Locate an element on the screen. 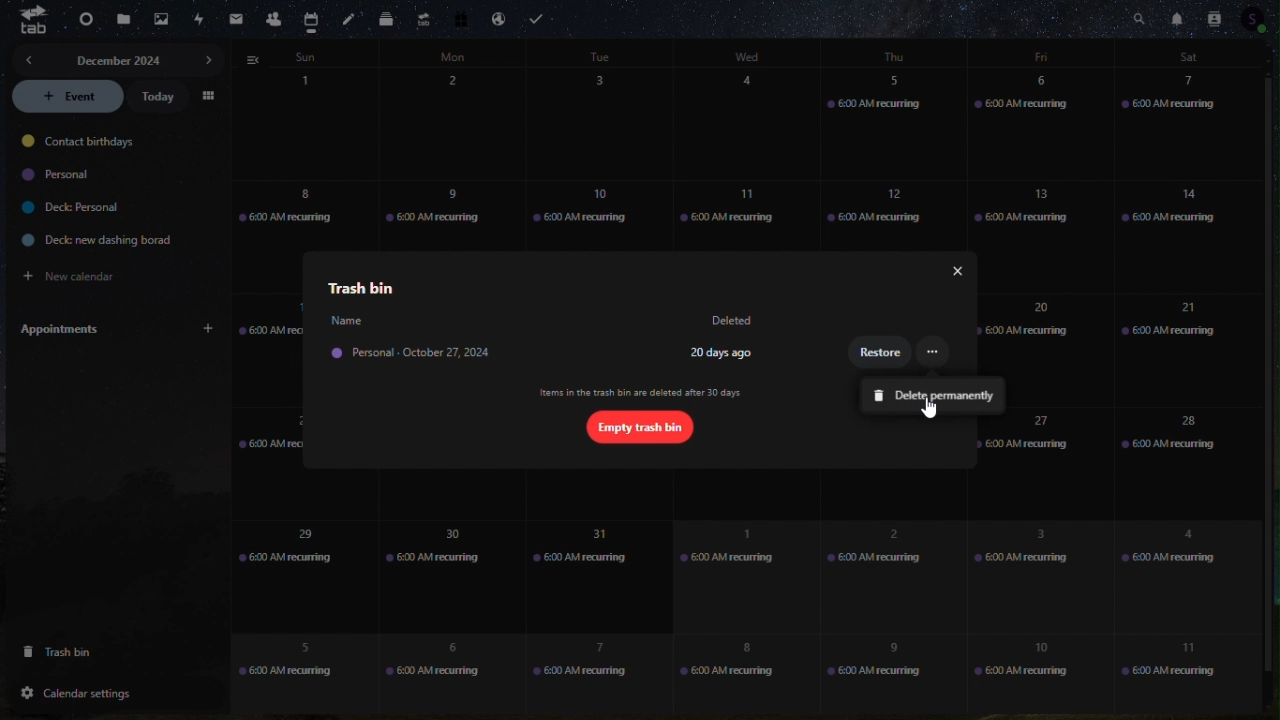  menu is located at coordinates (210, 95).